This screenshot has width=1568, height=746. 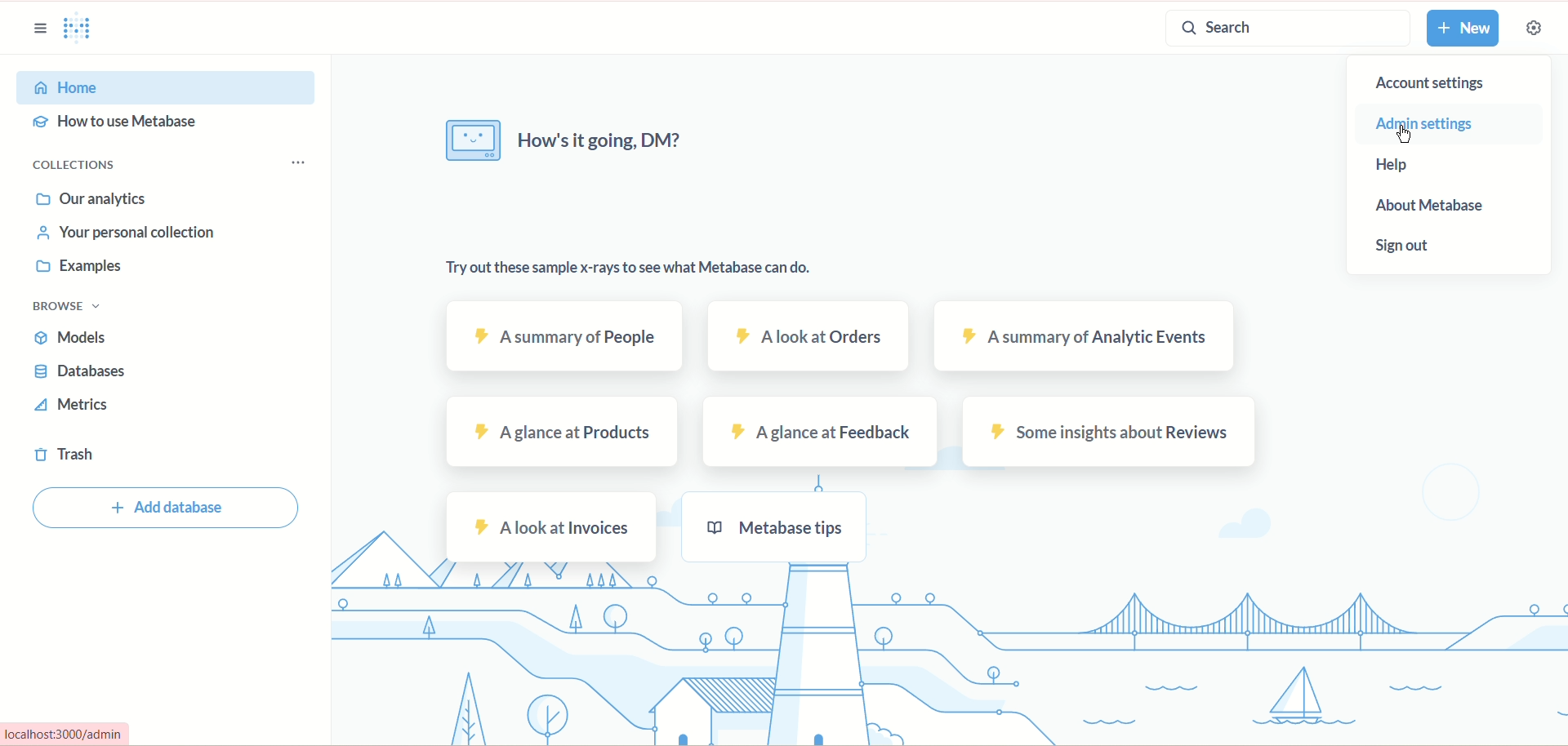 What do you see at coordinates (550, 431) in the screenshot?
I see `a glance at products` at bounding box center [550, 431].